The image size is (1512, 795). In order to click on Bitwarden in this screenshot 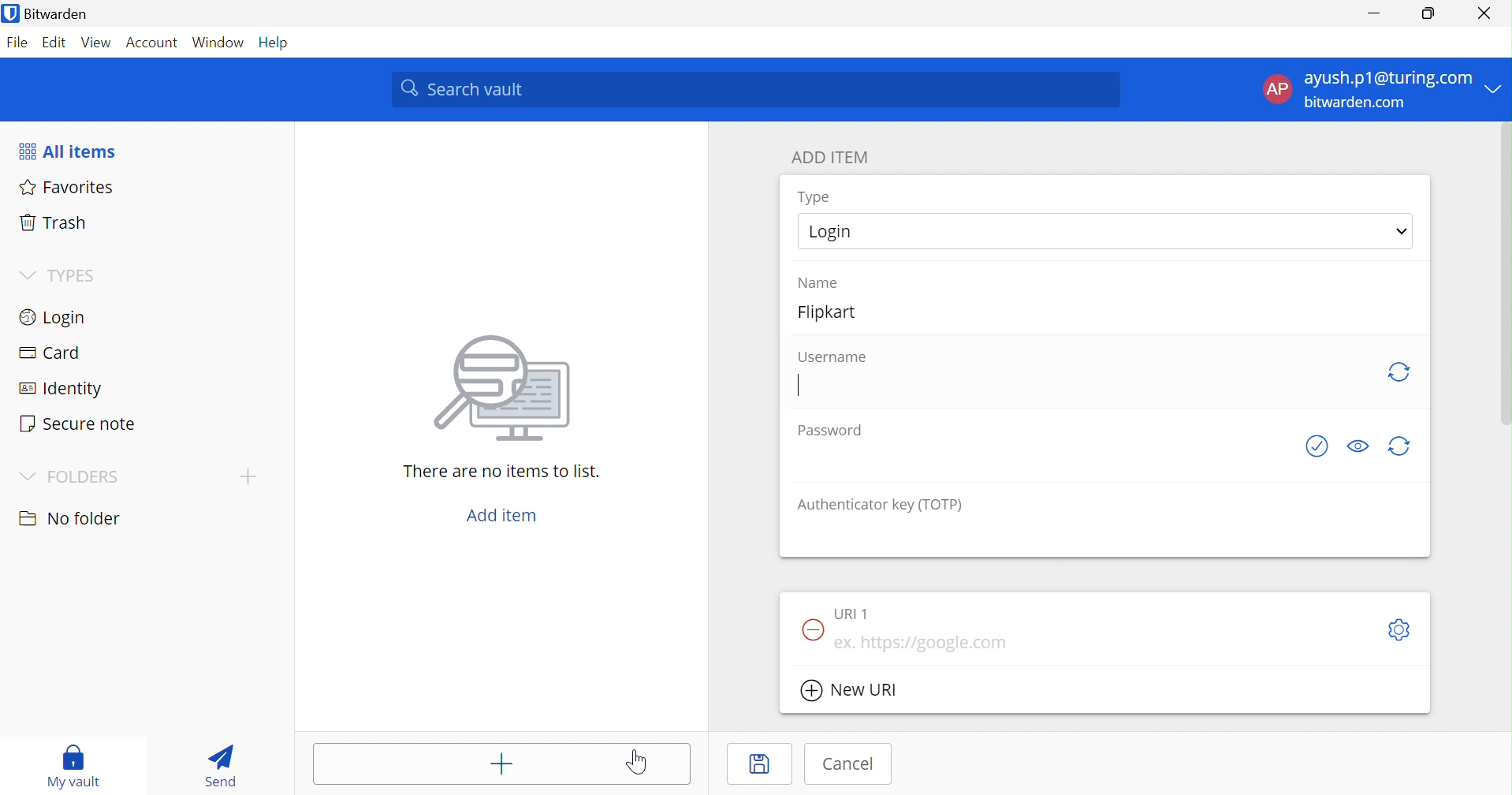, I will do `click(58, 15)`.